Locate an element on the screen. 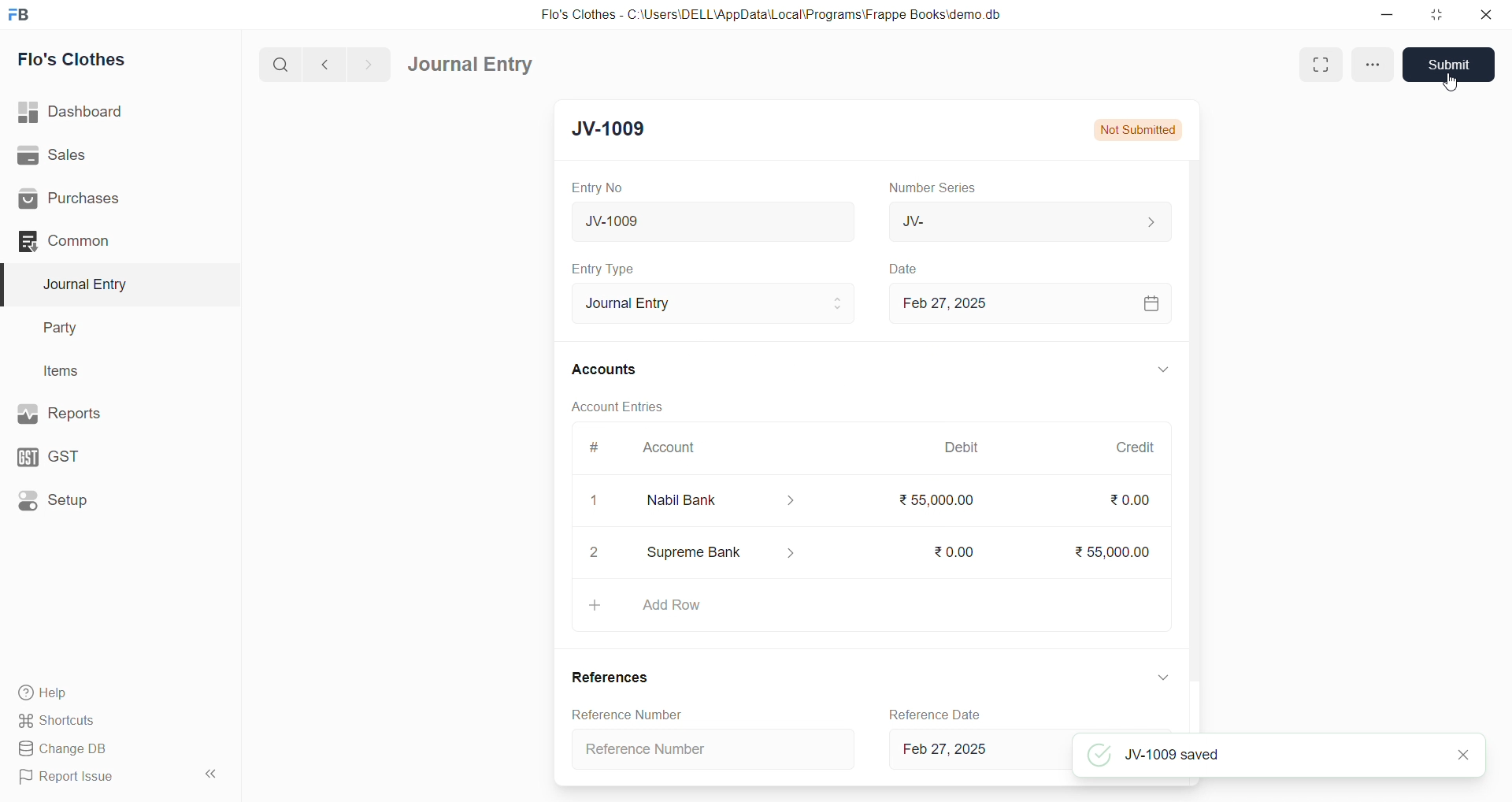 The width and height of the screenshot is (1512, 802). Flo's Clothes is located at coordinates (80, 59).